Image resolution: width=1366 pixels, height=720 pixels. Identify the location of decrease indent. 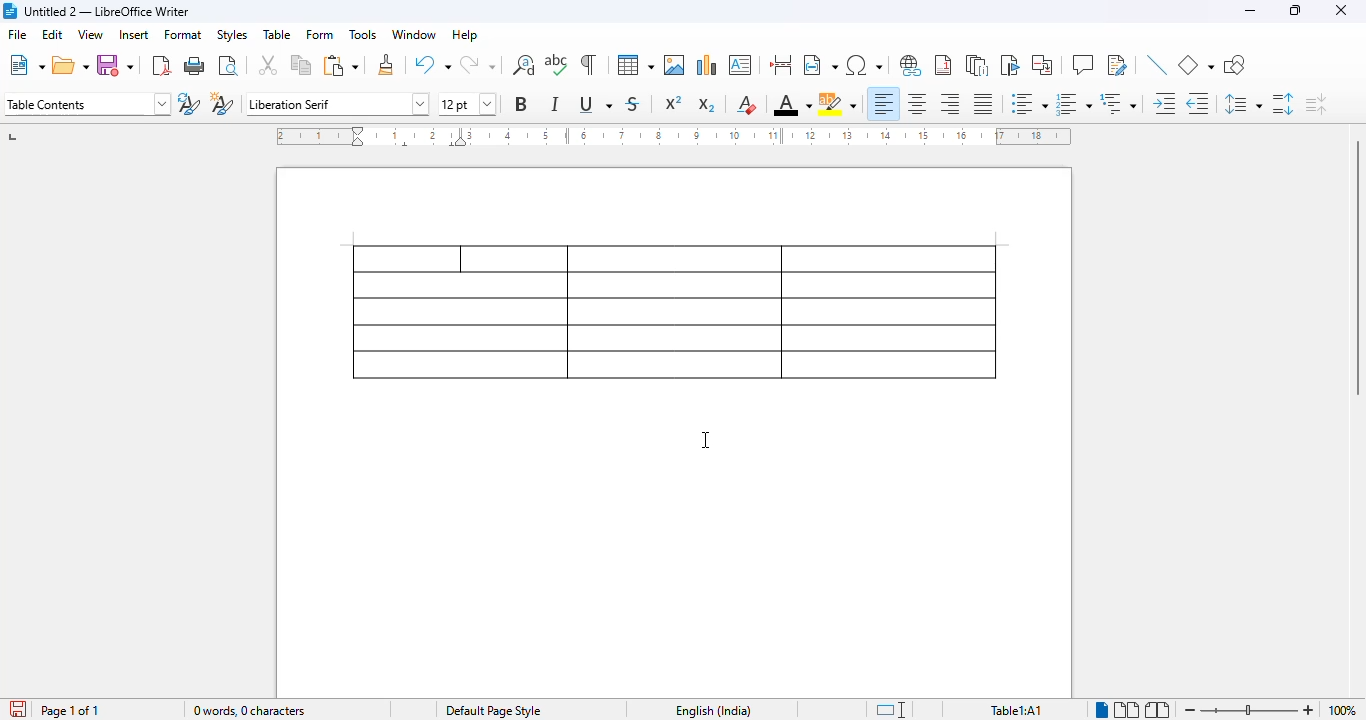
(1197, 103).